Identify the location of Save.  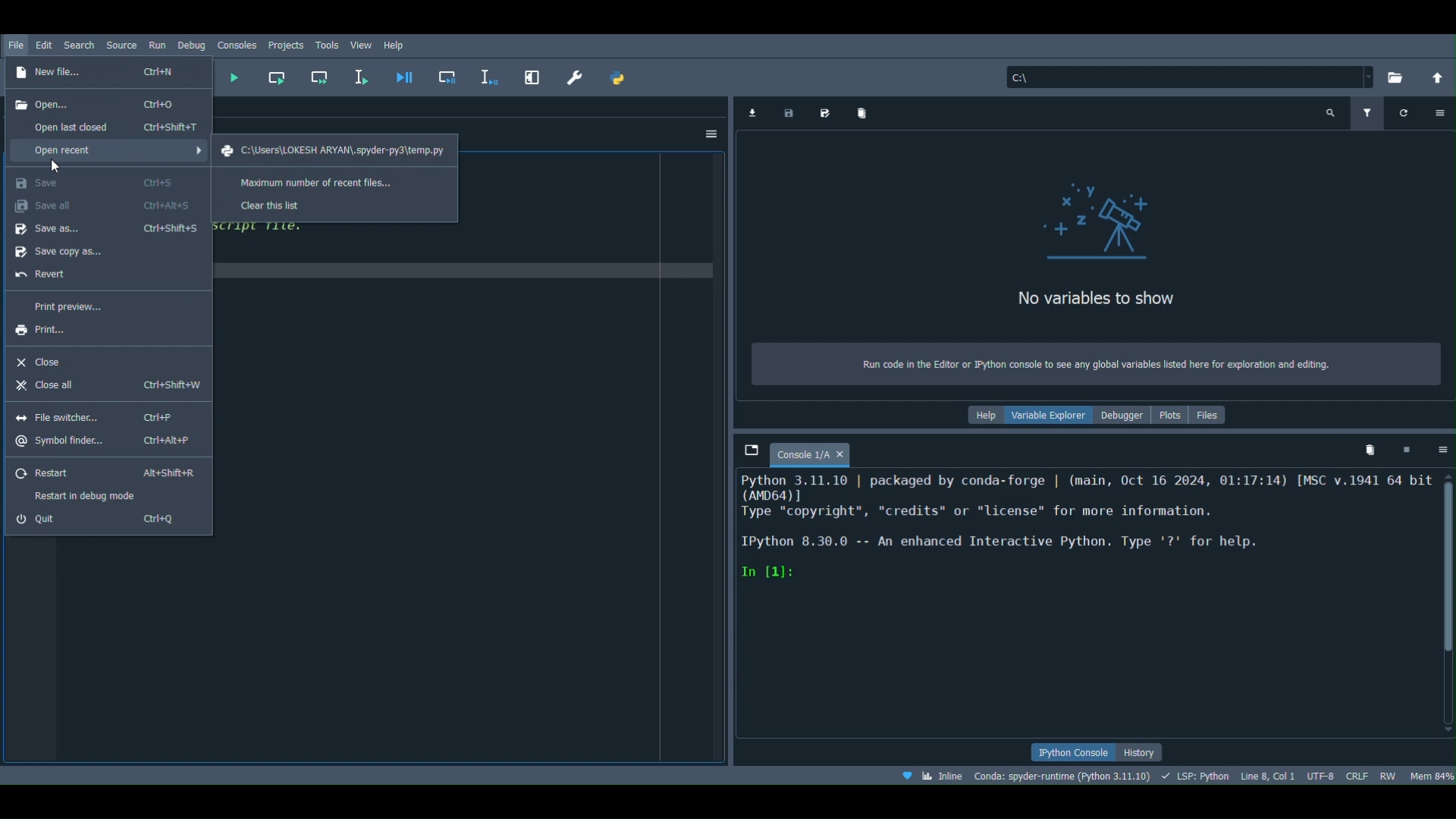
(105, 180).